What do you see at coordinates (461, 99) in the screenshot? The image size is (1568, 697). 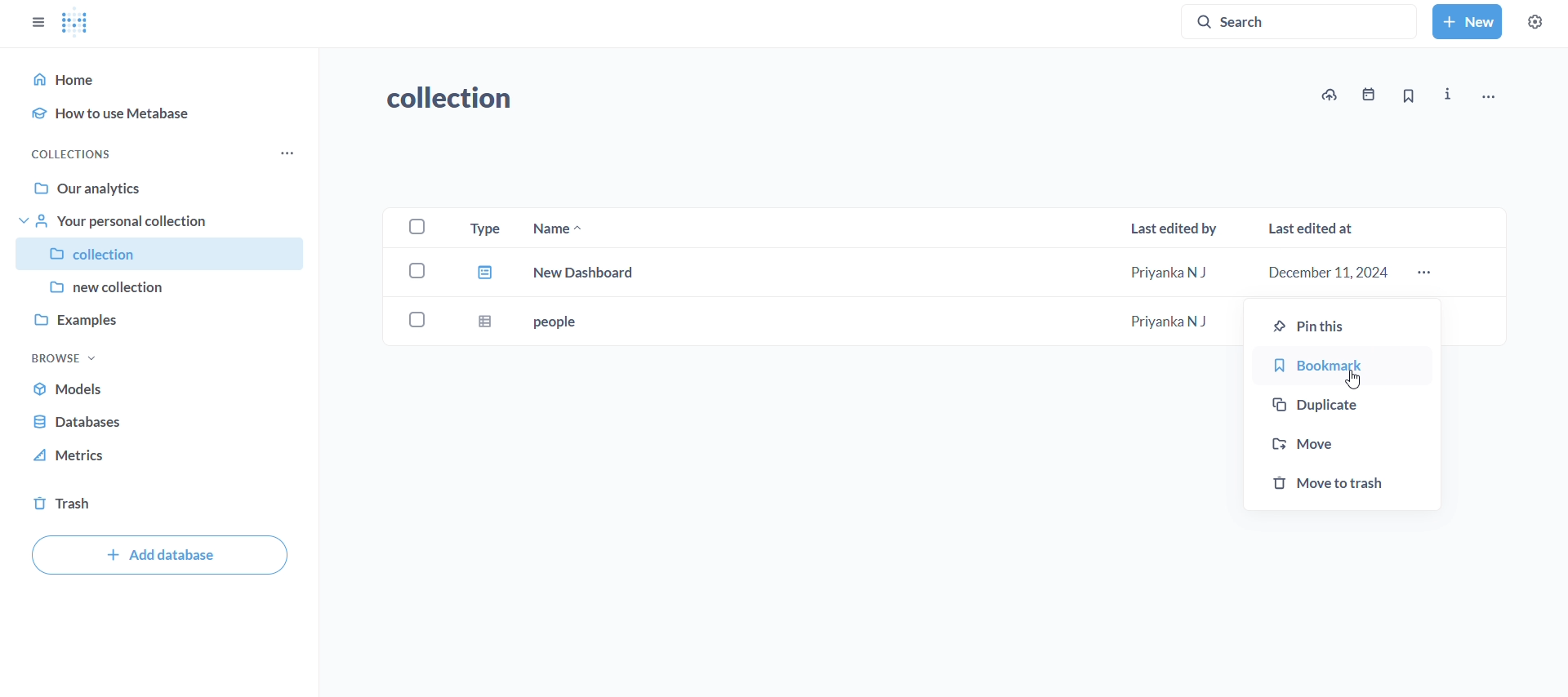 I see `collection` at bounding box center [461, 99].